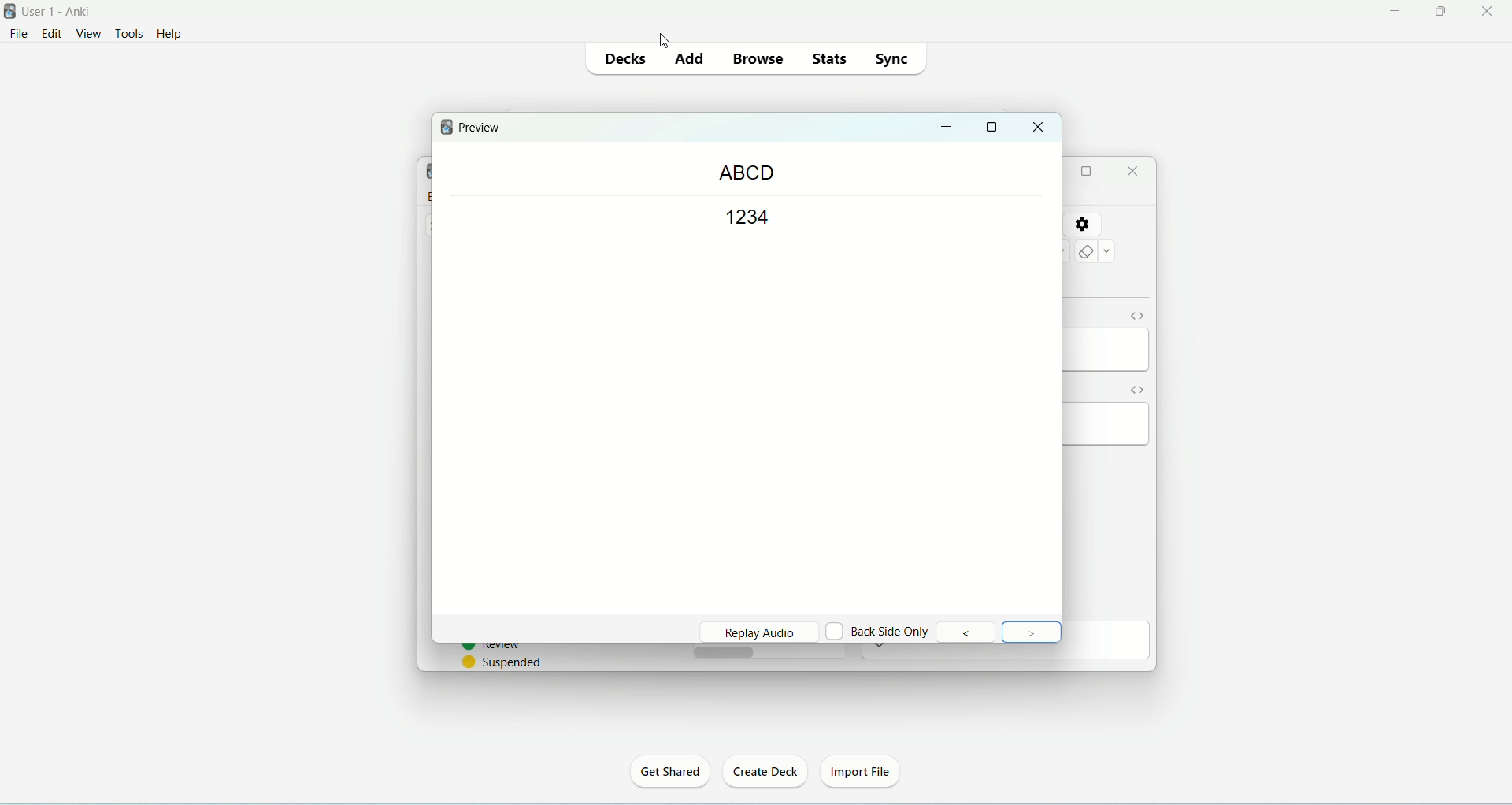 This screenshot has height=805, width=1512. What do you see at coordinates (747, 219) in the screenshot?
I see `1234` at bounding box center [747, 219].